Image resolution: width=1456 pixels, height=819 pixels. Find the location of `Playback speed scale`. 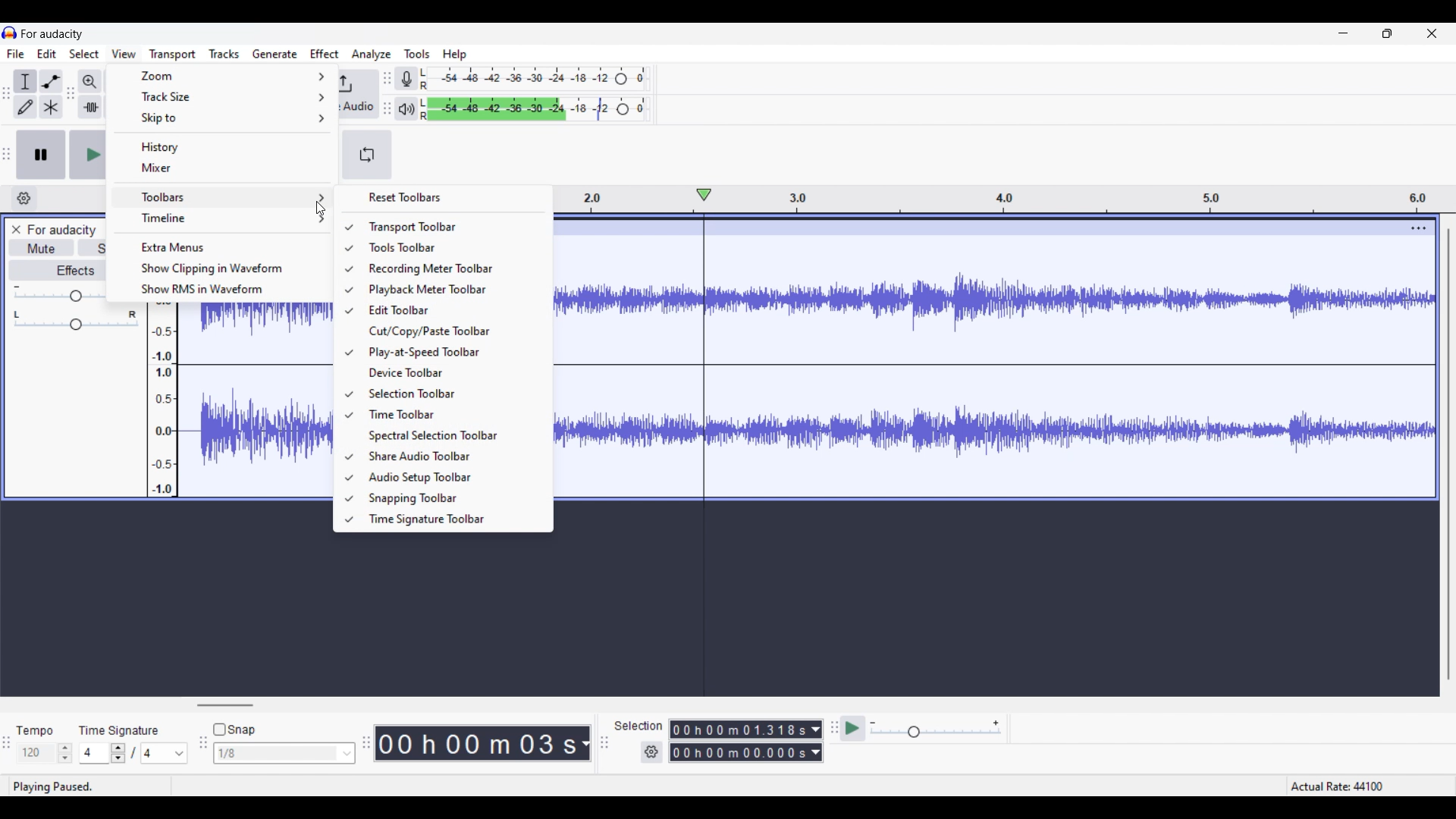

Playback speed scale is located at coordinates (936, 730).